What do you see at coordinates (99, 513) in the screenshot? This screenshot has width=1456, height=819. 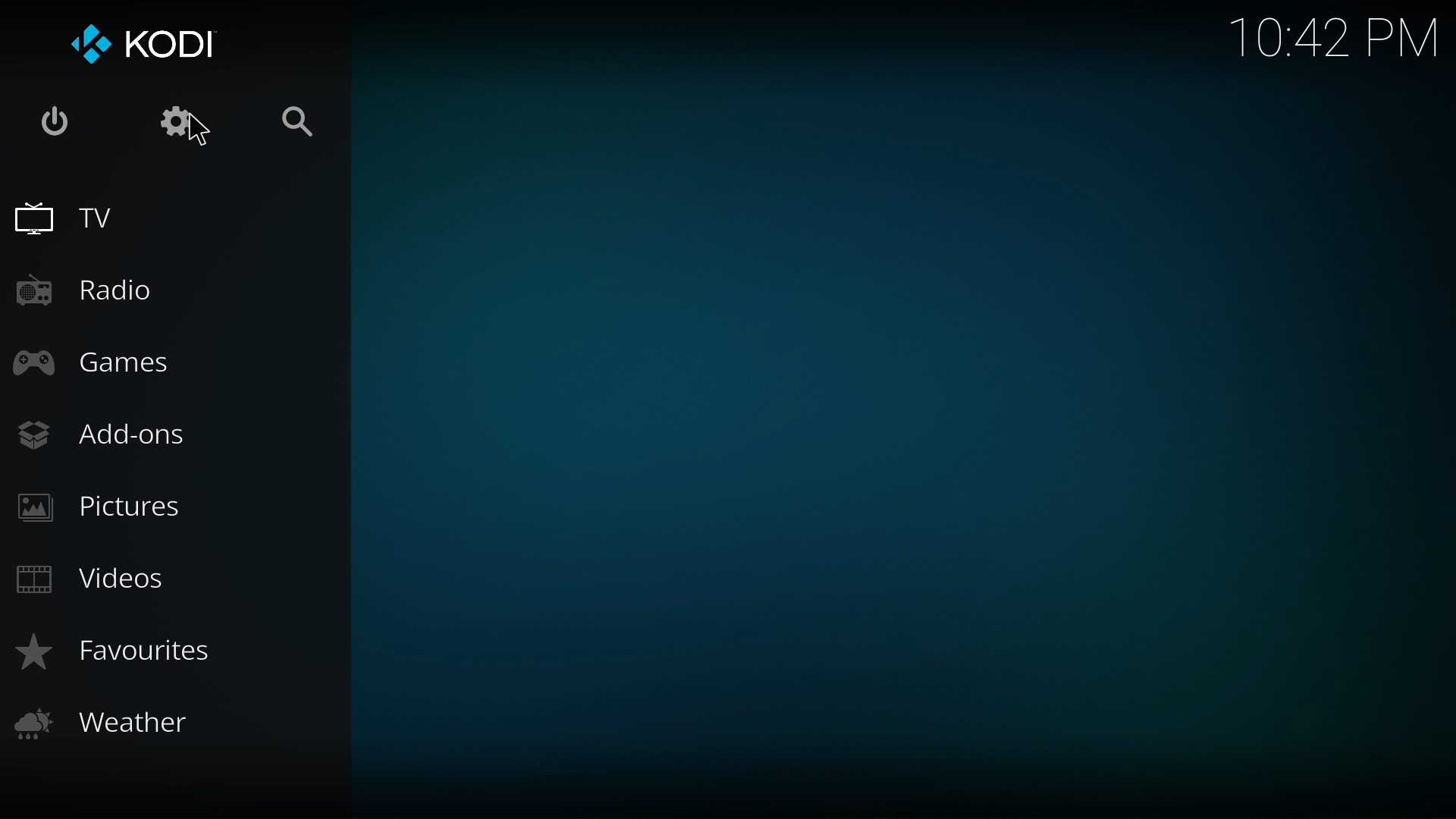 I see `pictures` at bounding box center [99, 513].